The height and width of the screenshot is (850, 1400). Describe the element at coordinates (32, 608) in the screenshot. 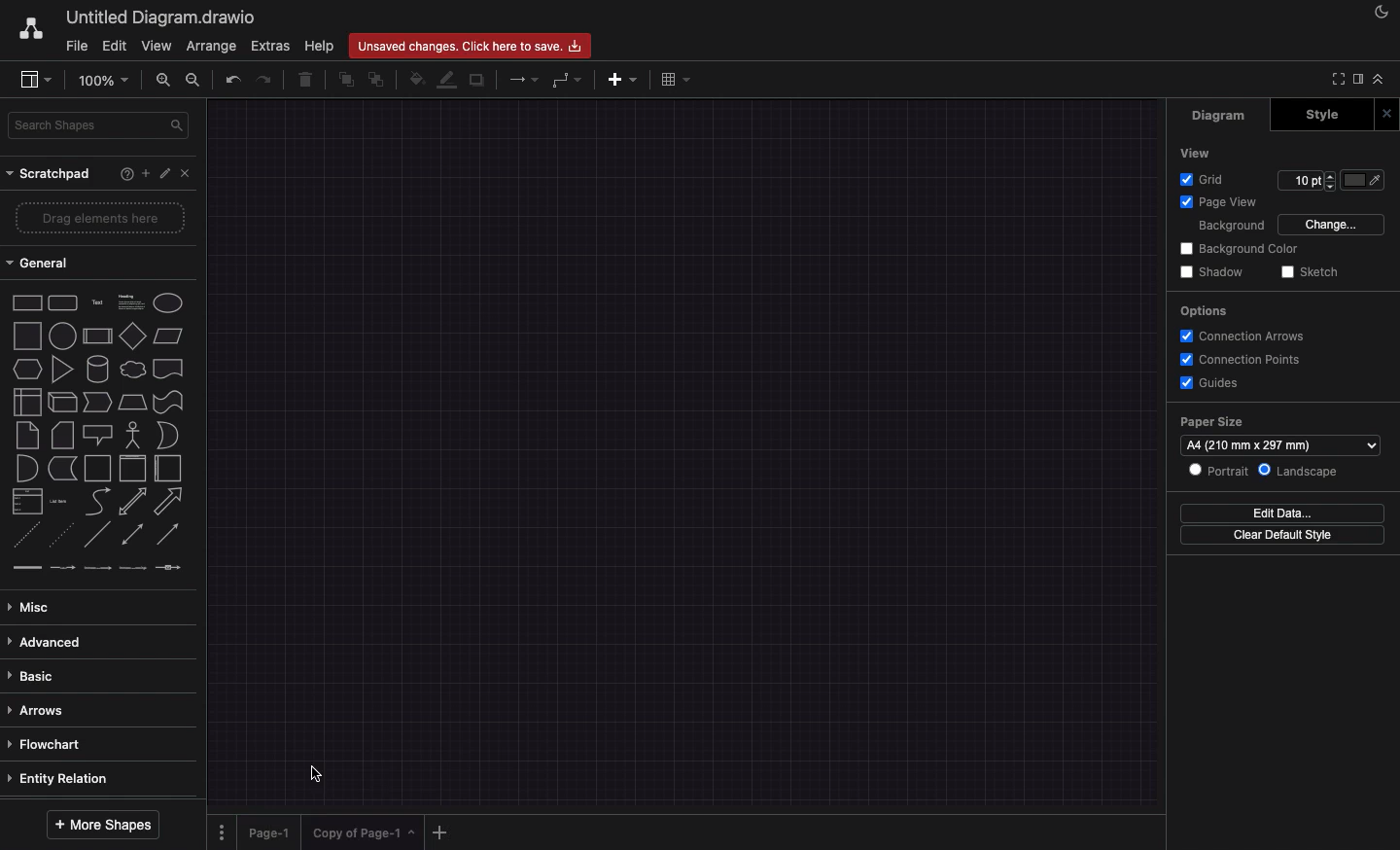

I see `misc` at that location.